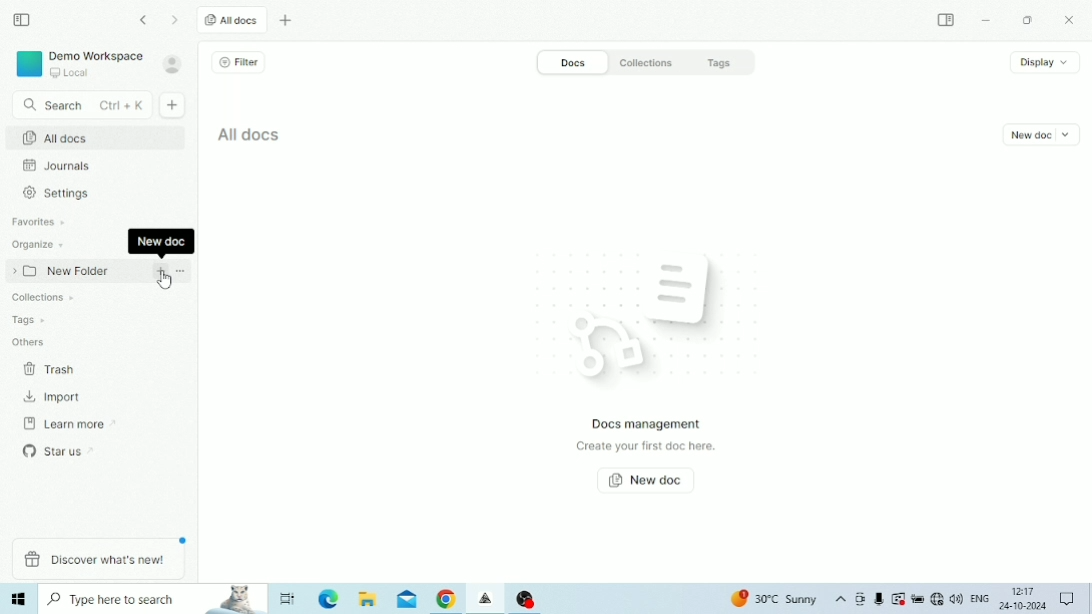  I want to click on Collections, so click(652, 61).